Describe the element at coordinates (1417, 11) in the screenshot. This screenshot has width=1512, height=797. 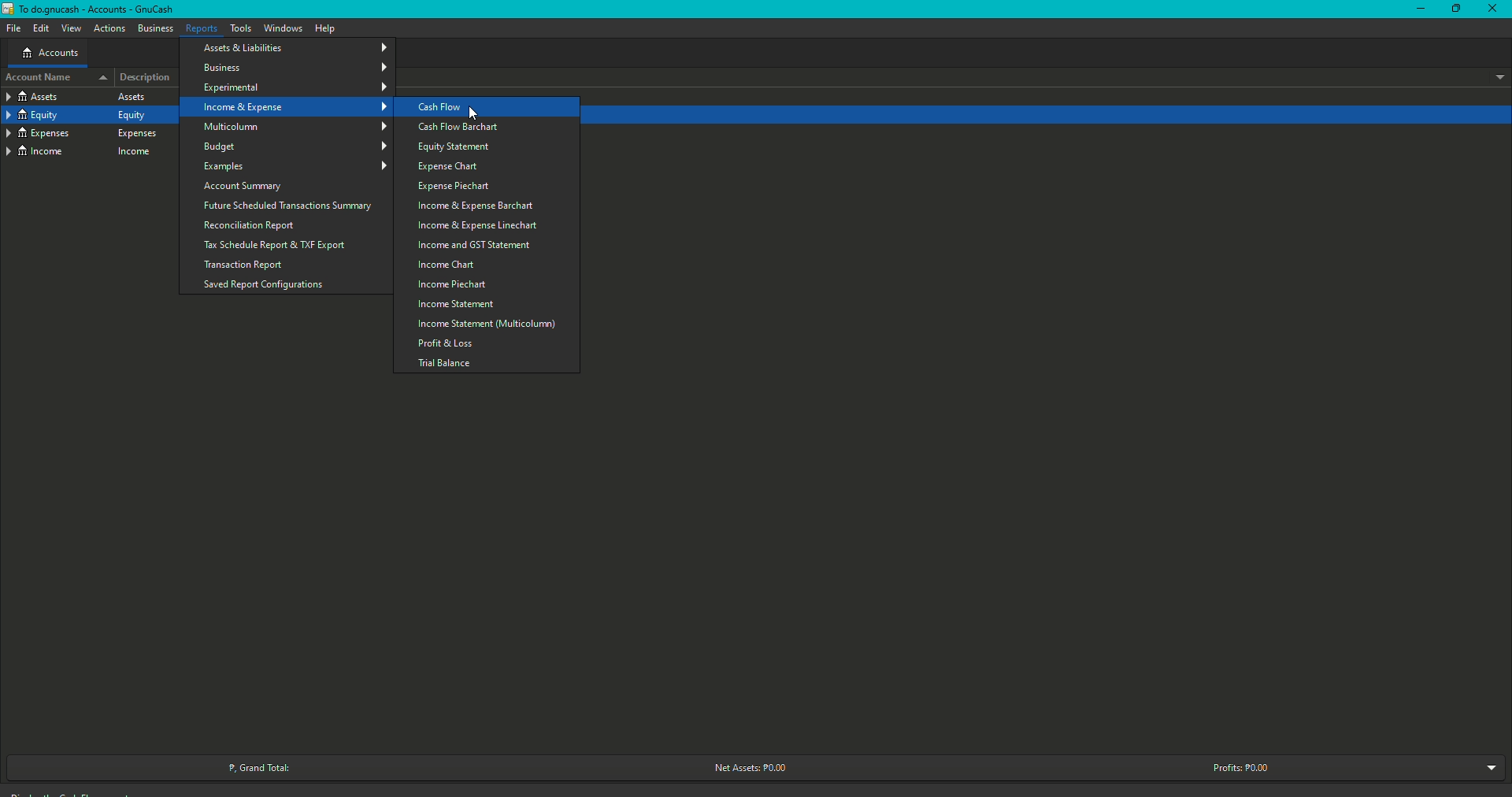
I see `Restore` at that location.